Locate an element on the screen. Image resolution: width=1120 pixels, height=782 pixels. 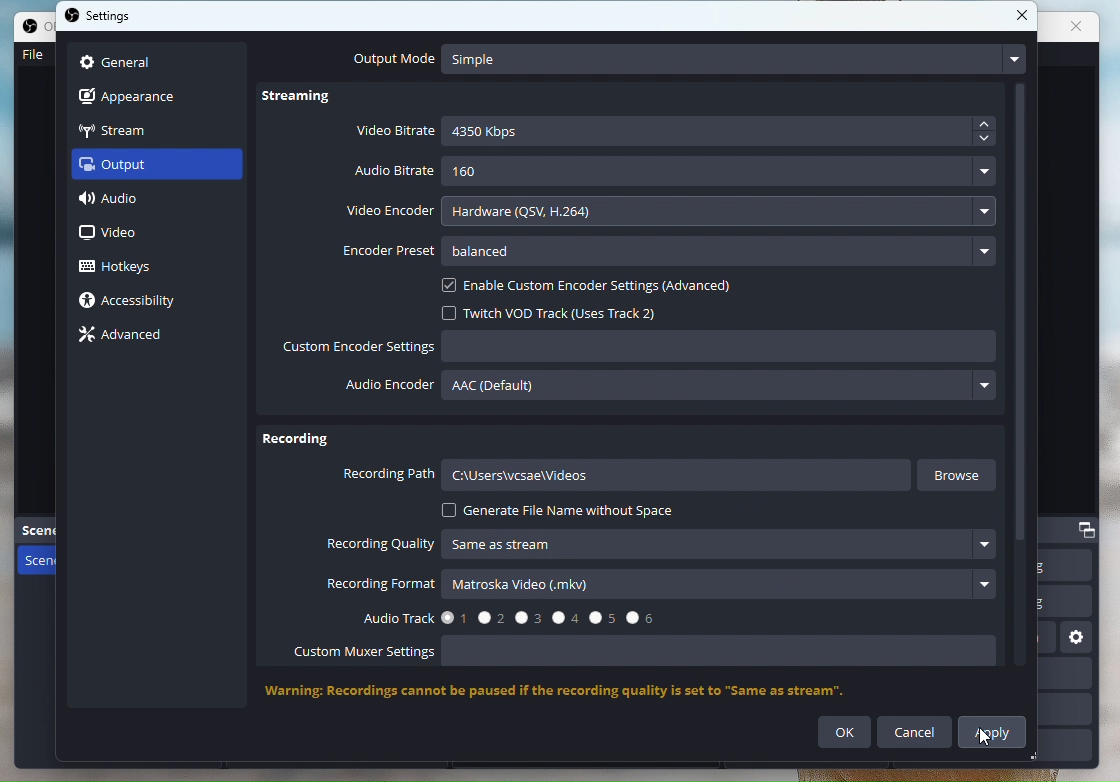
Stream is located at coordinates (136, 129).